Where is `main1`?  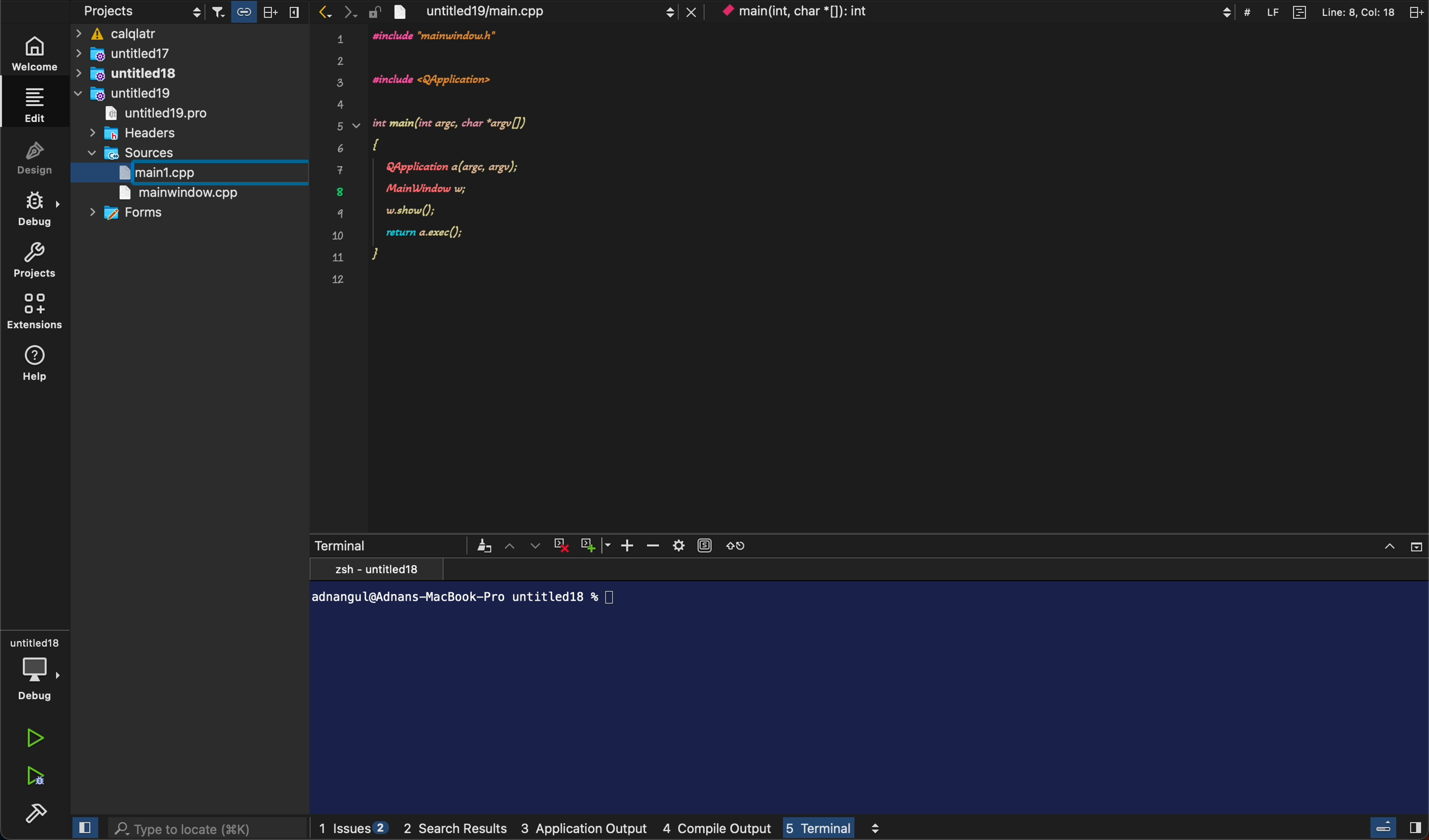 main1 is located at coordinates (175, 172).